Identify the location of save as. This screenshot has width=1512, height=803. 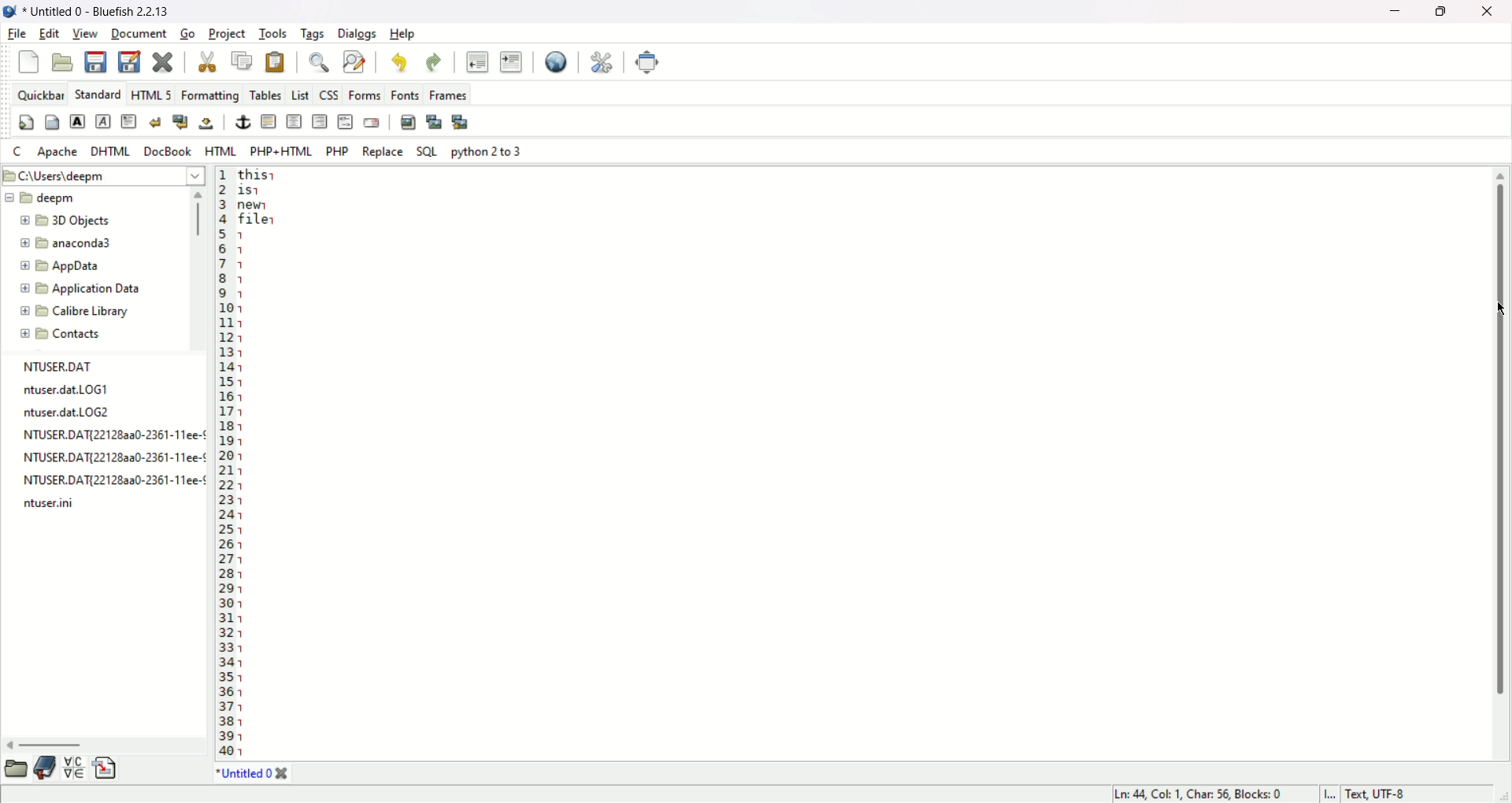
(128, 61).